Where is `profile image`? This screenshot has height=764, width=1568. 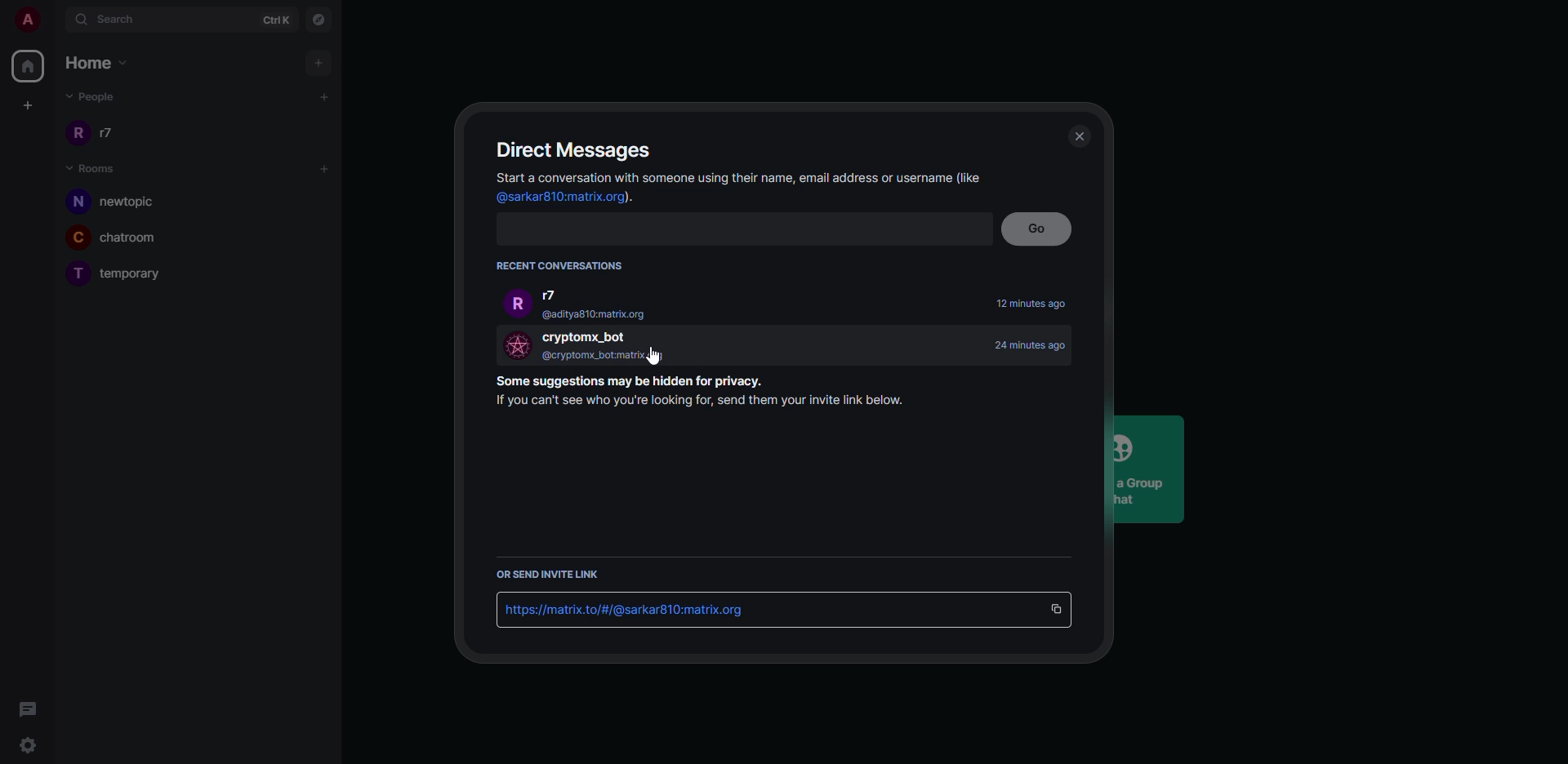
profile image is located at coordinates (518, 348).